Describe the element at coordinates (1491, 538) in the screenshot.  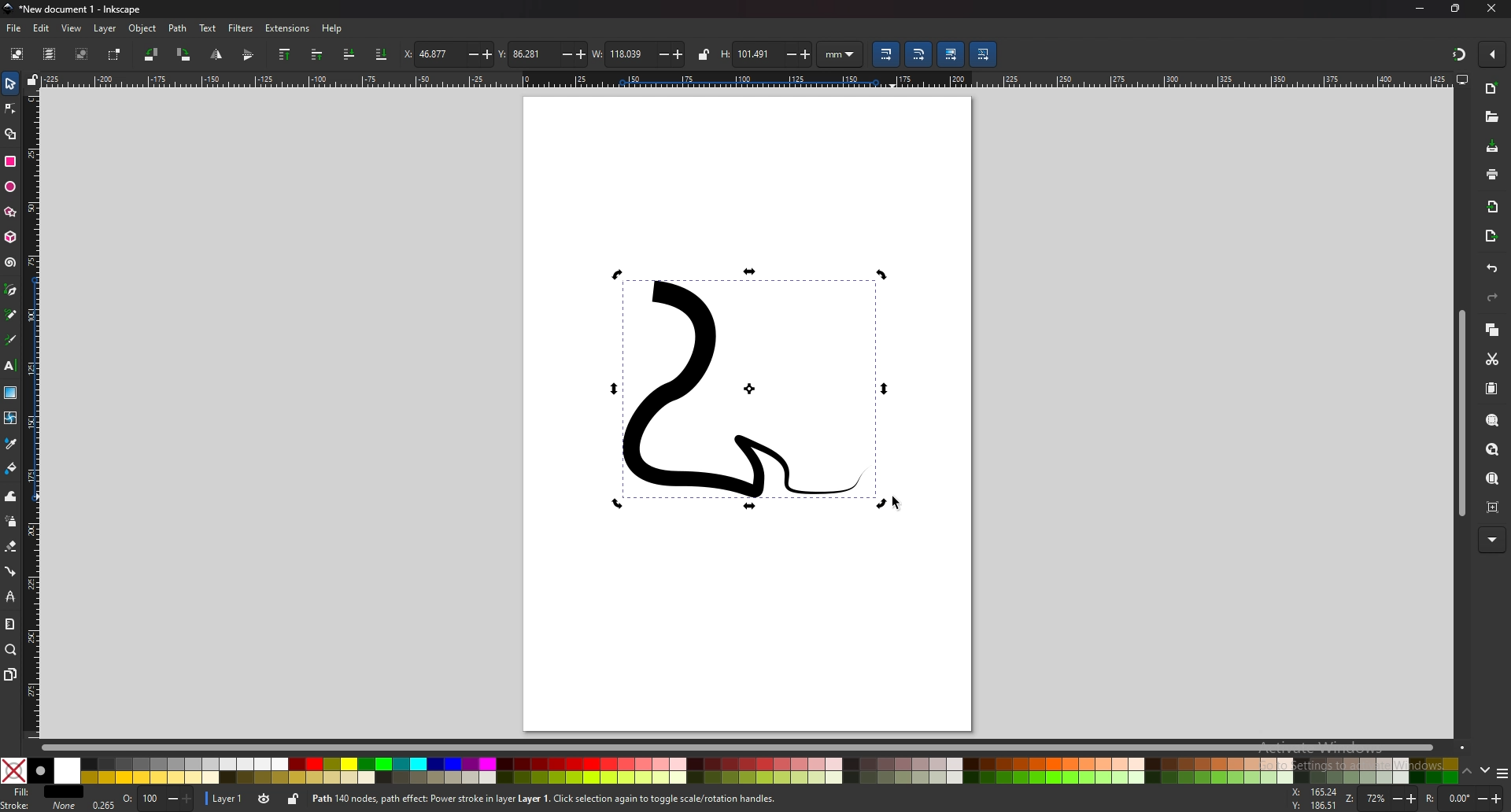
I see `MORE` at that location.